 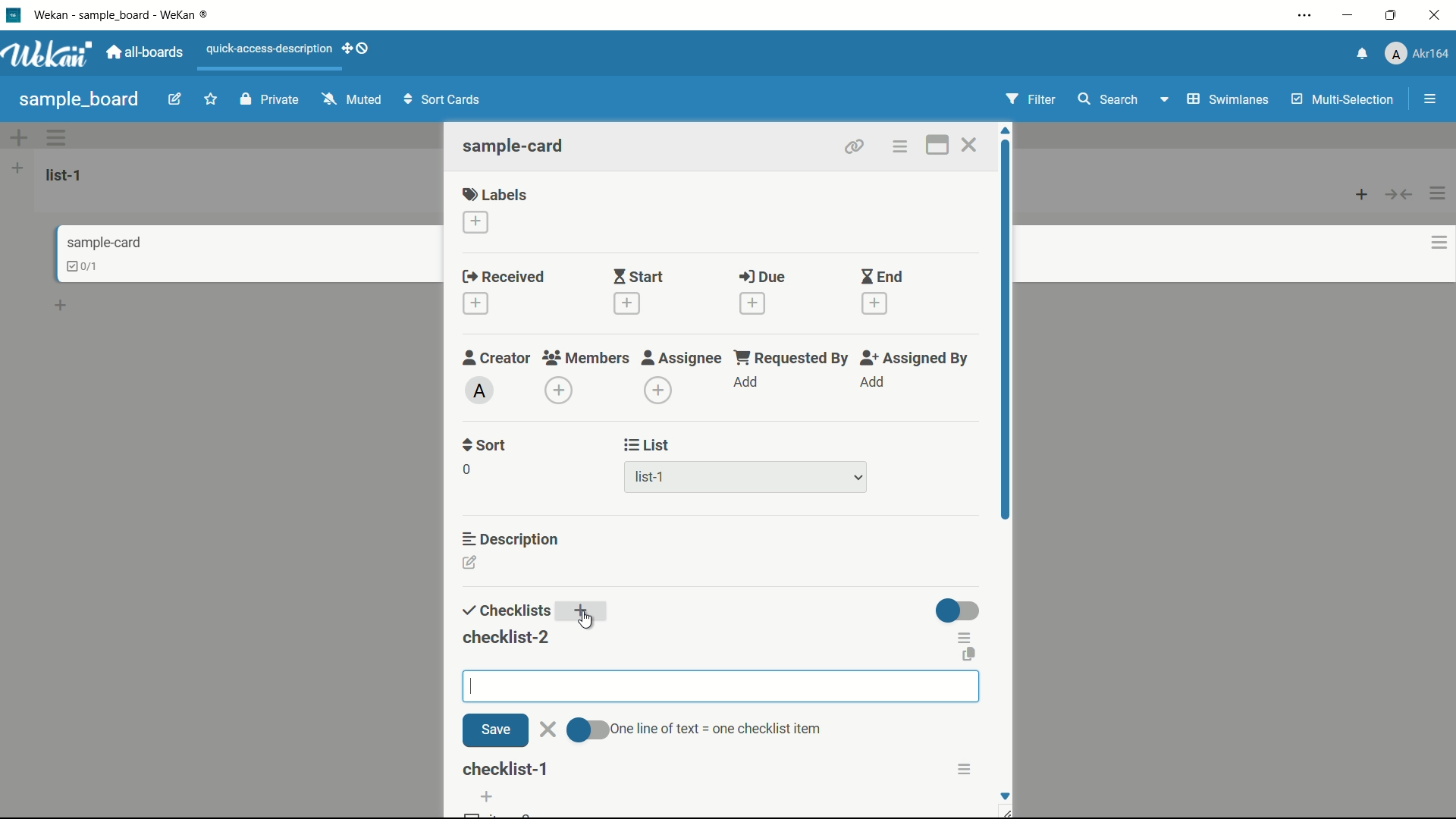 What do you see at coordinates (13, 14) in the screenshot?
I see `app icon` at bounding box center [13, 14].